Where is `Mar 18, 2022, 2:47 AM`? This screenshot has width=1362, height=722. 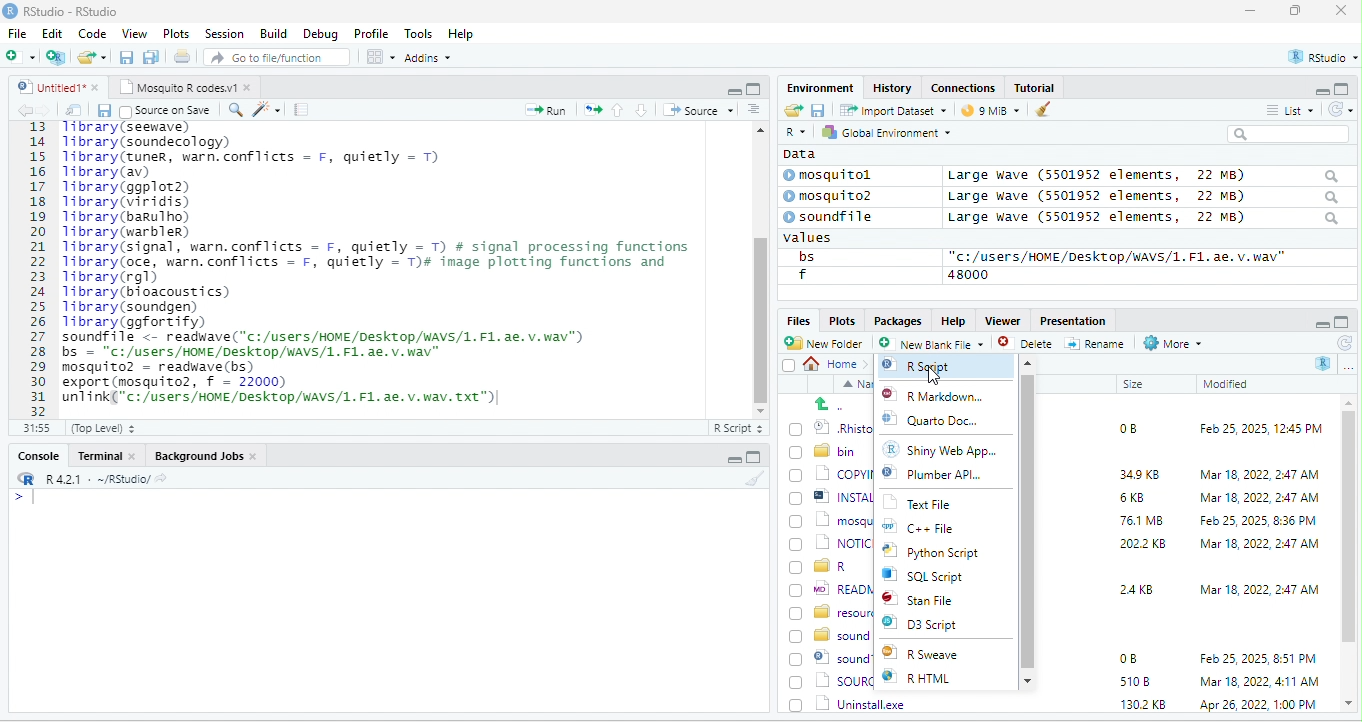
Mar 18, 2022, 2:47 AM is located at coordinates (1259, 588).